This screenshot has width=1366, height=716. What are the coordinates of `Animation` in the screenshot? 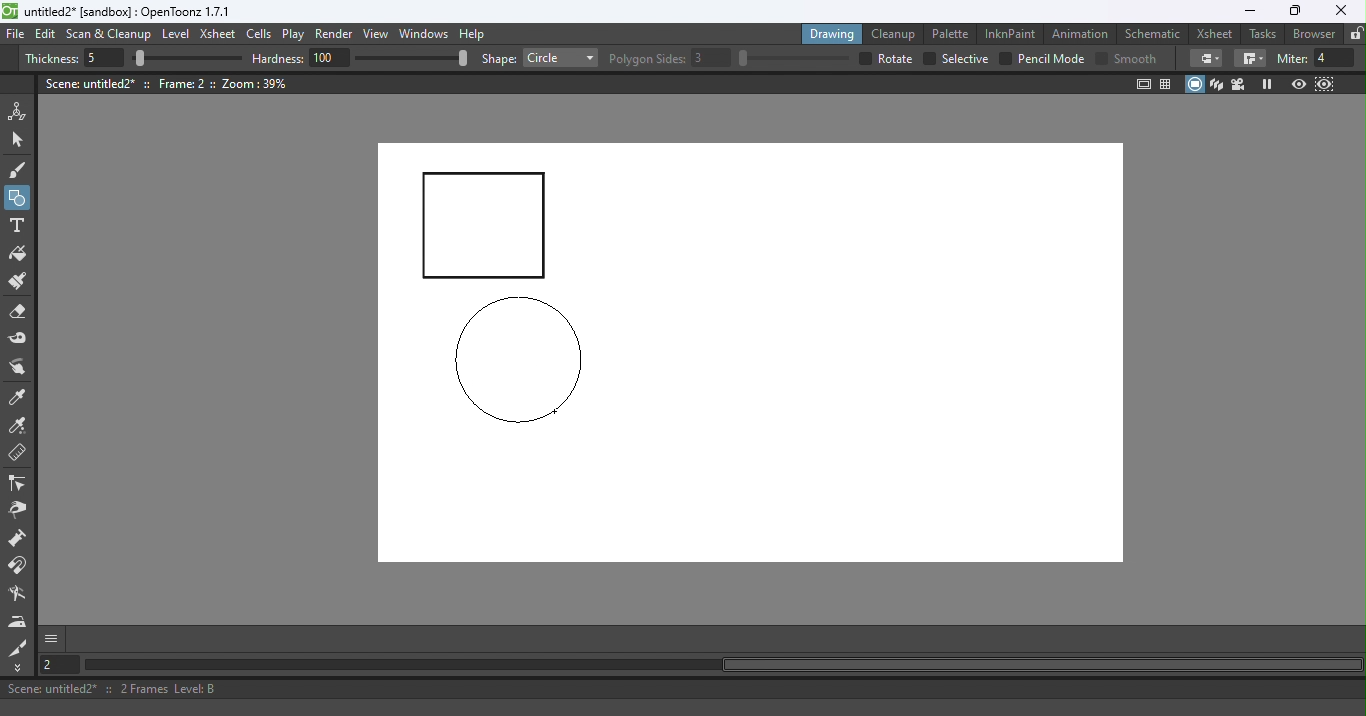 It's located at (1083, 32).